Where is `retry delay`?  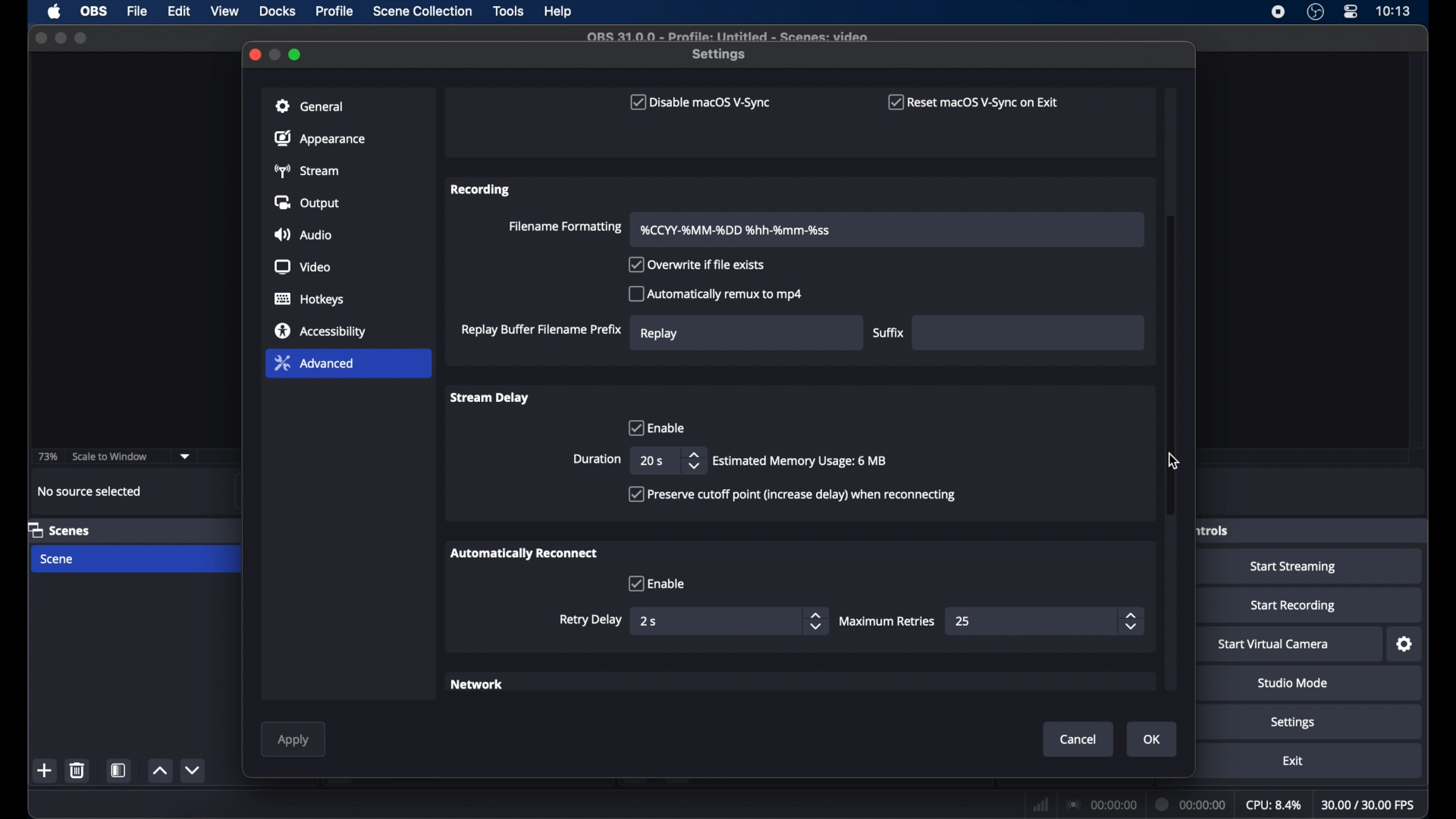 retry delay is located at coordinates (591, 620).